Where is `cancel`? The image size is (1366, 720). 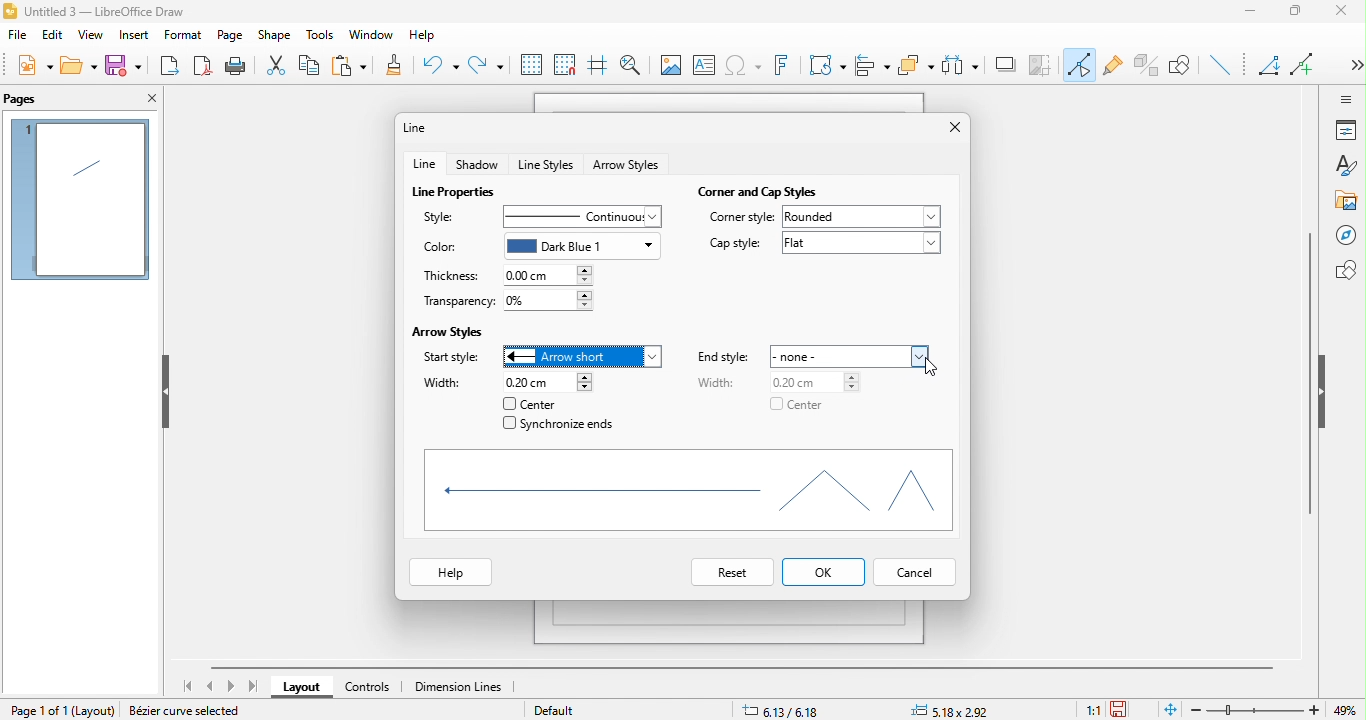 cancel is located at coordinates (916, 574).